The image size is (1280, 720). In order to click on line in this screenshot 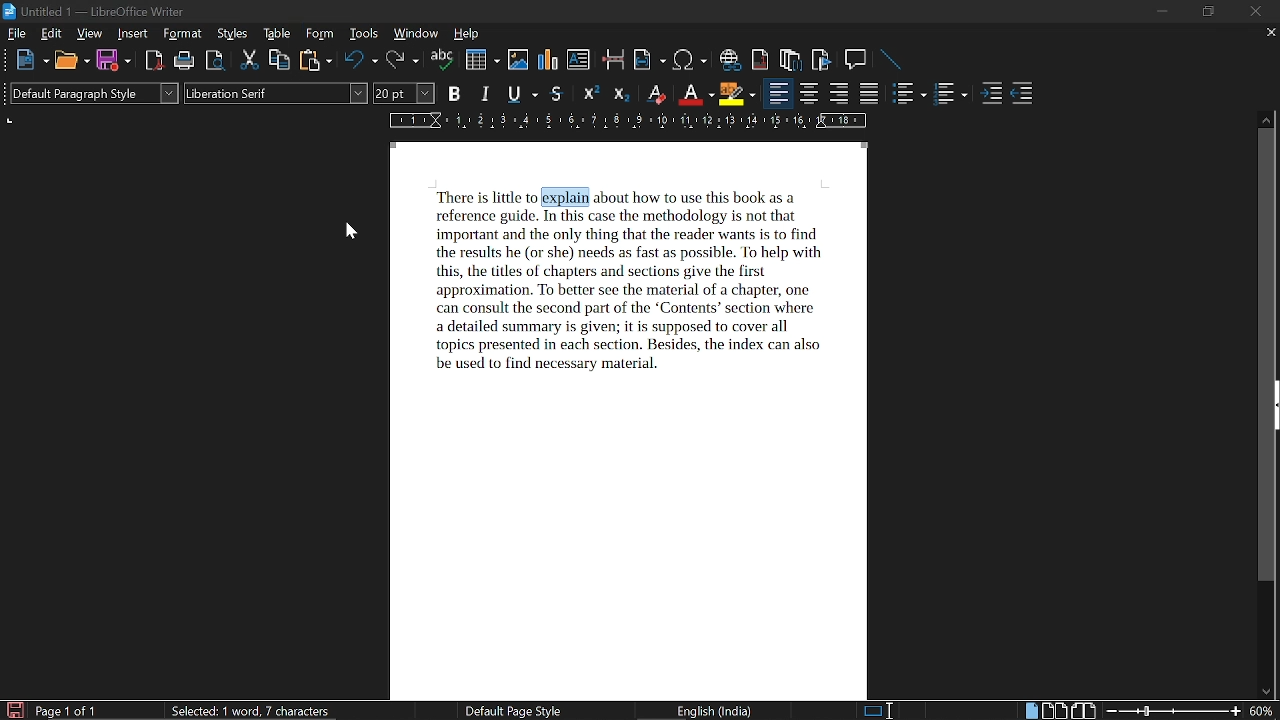, I will do `click(890, 59)`.